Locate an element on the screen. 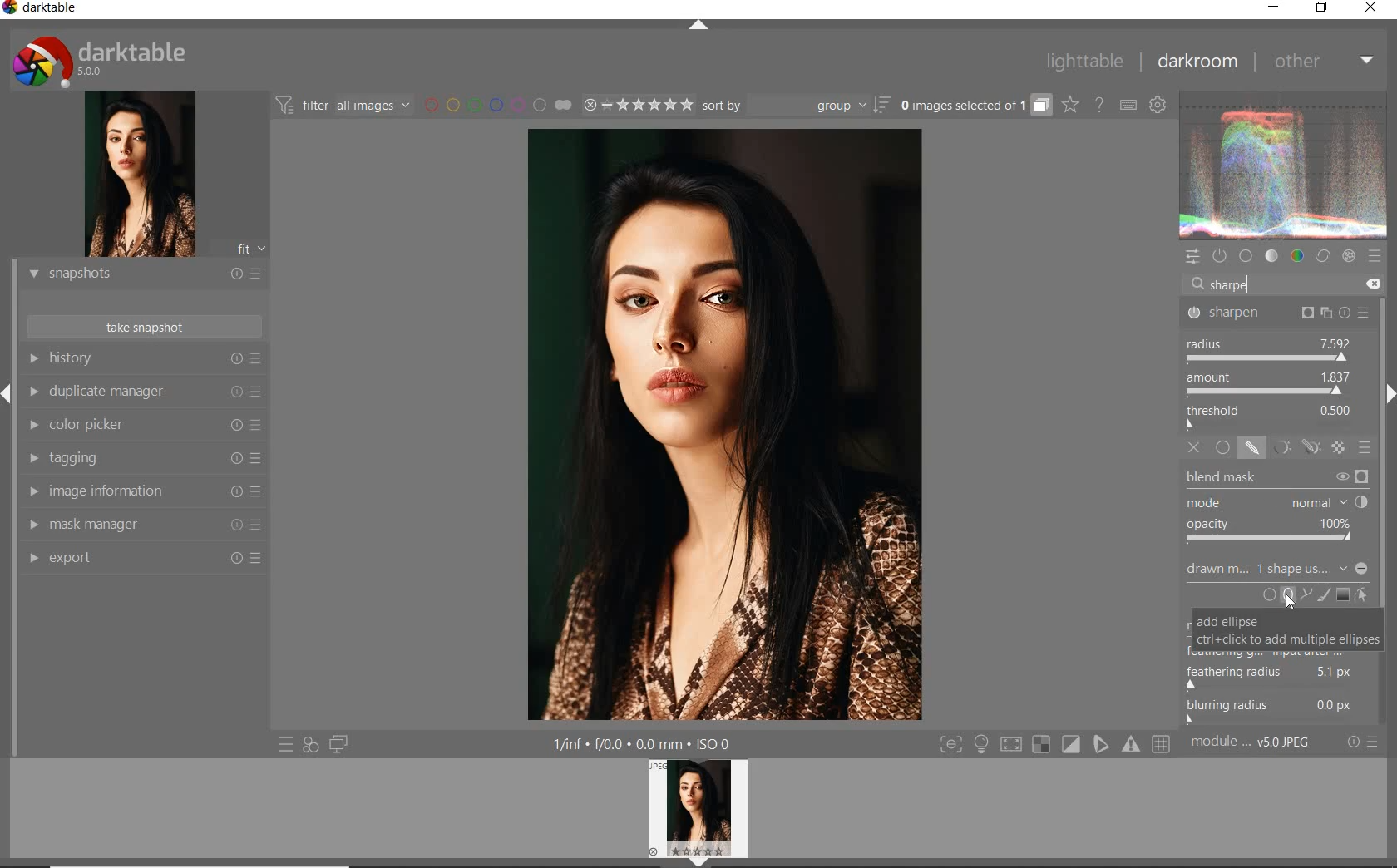  ADD BRUSH is located at coordinates (1324, 596).